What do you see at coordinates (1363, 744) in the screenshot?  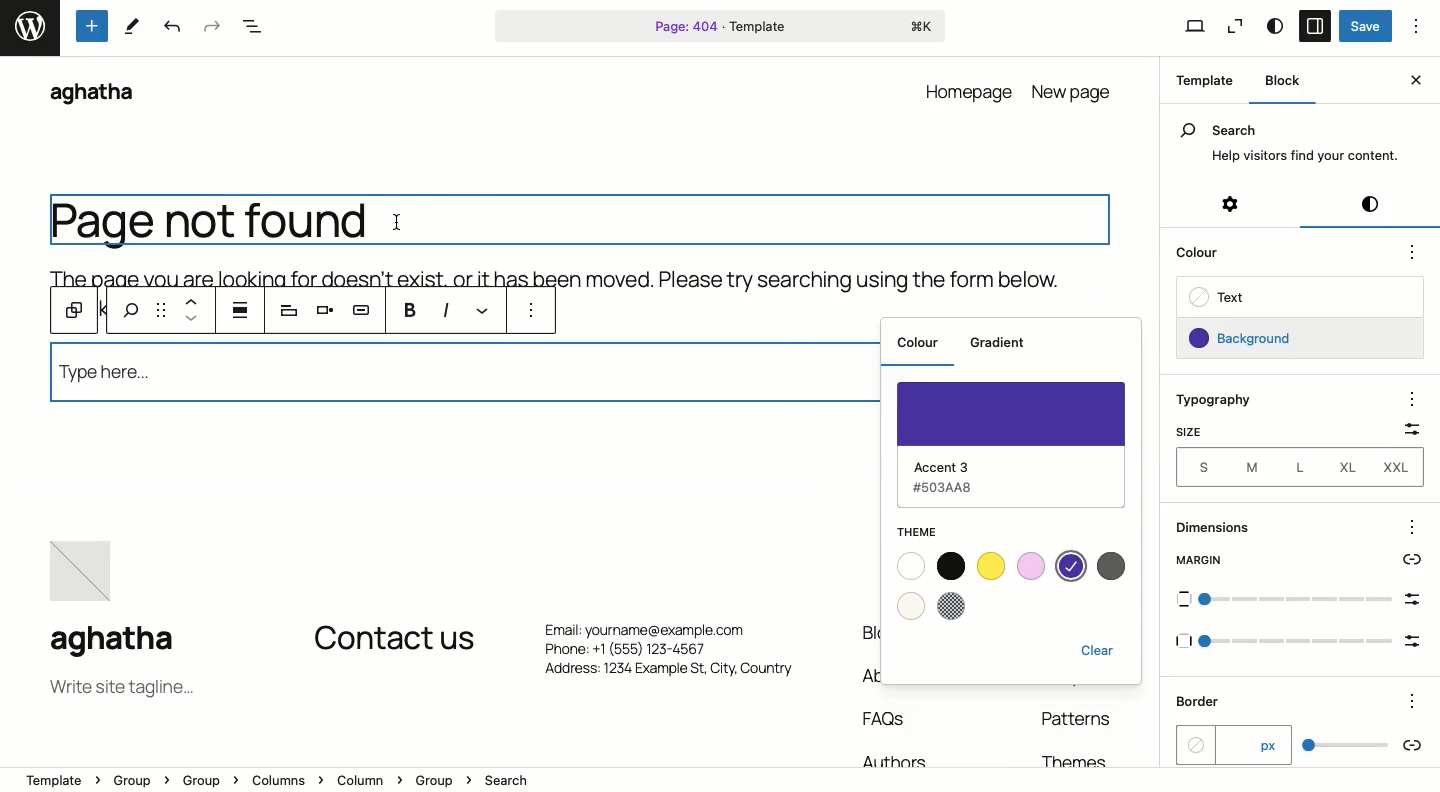 I see `scale` at bounding box center [1363, 744].